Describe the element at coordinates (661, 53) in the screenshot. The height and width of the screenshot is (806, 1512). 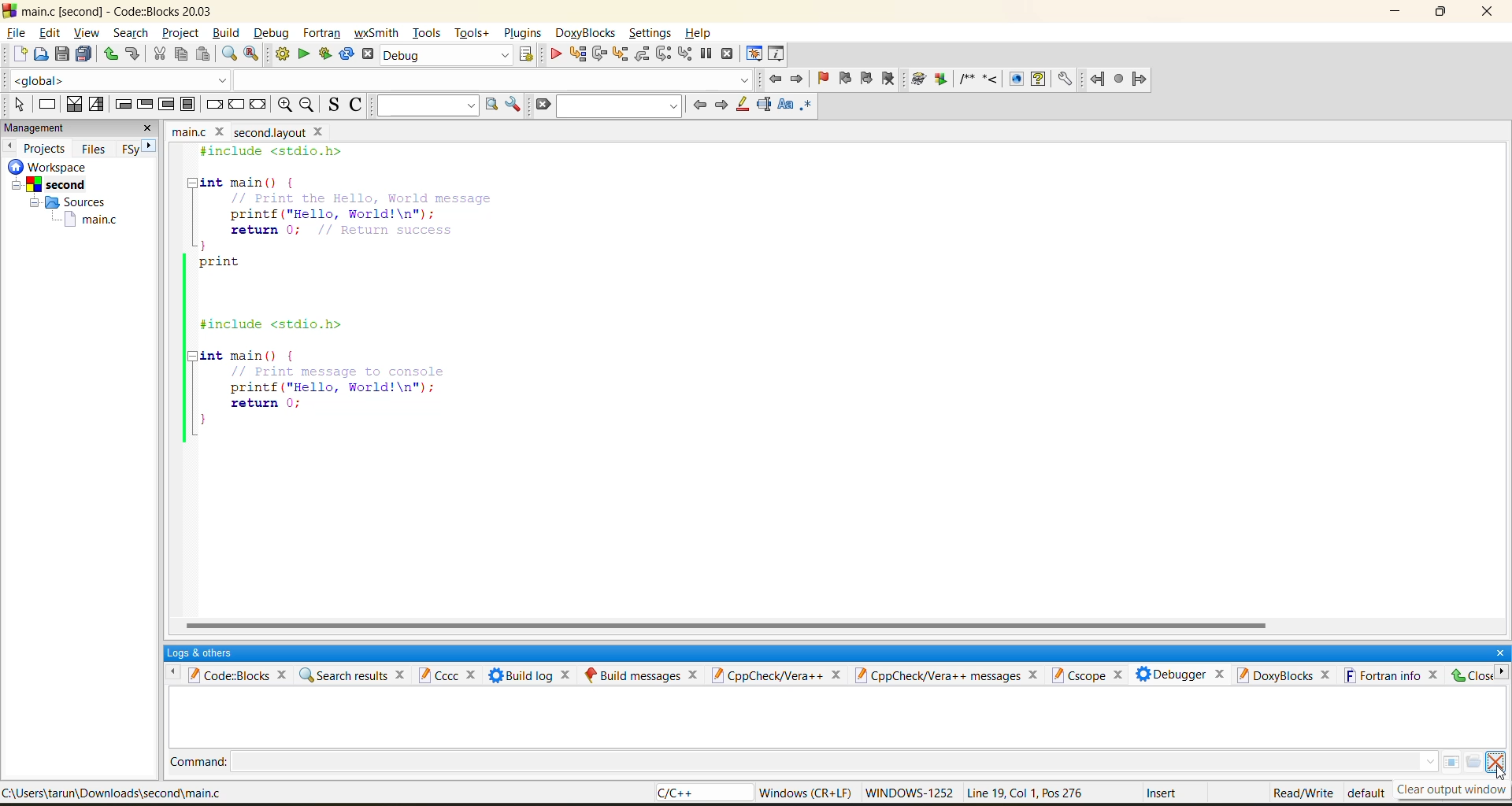
I see `next instruction` at that location.